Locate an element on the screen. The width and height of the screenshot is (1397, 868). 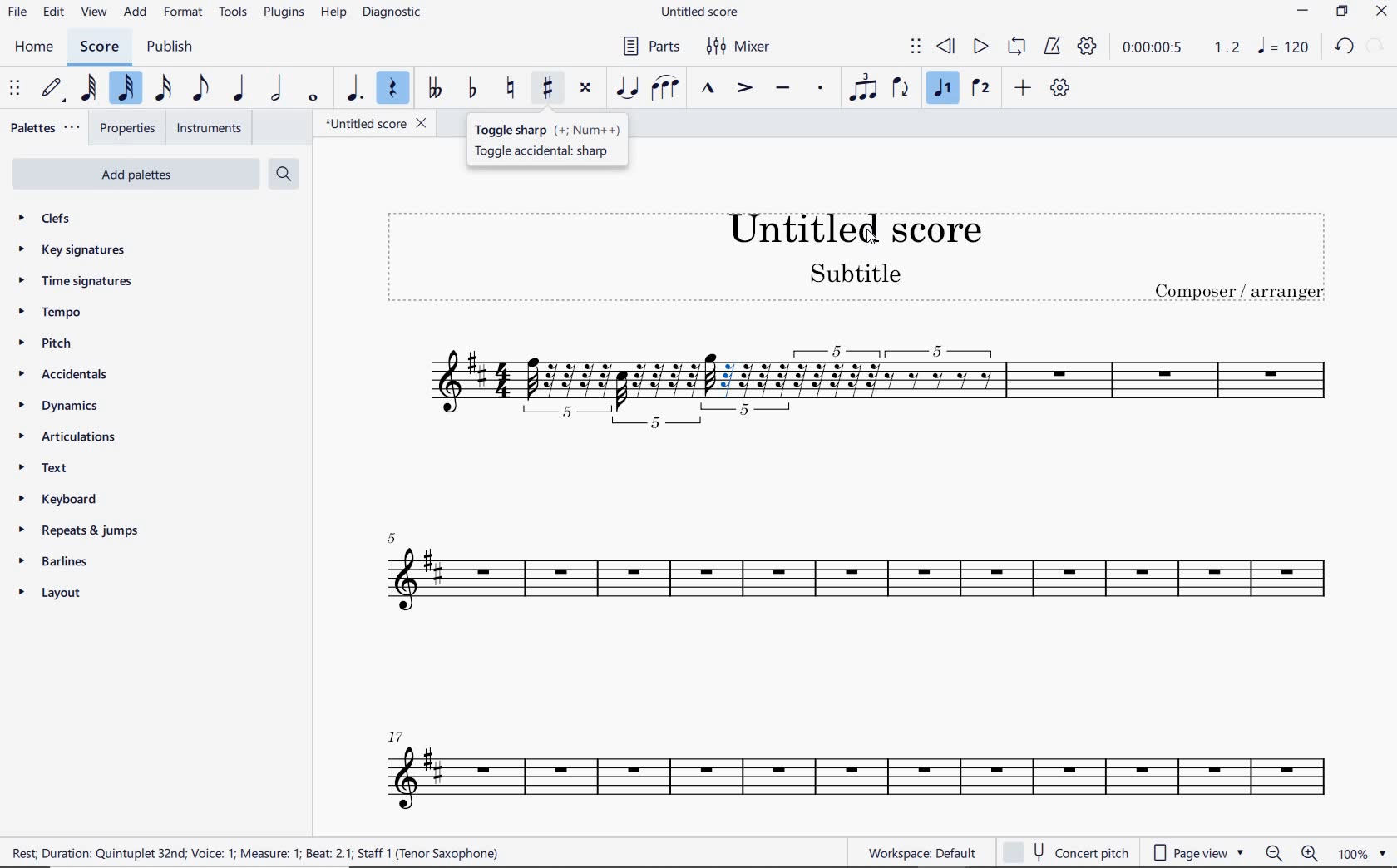
PLAY is located at coordinates (980, 47).